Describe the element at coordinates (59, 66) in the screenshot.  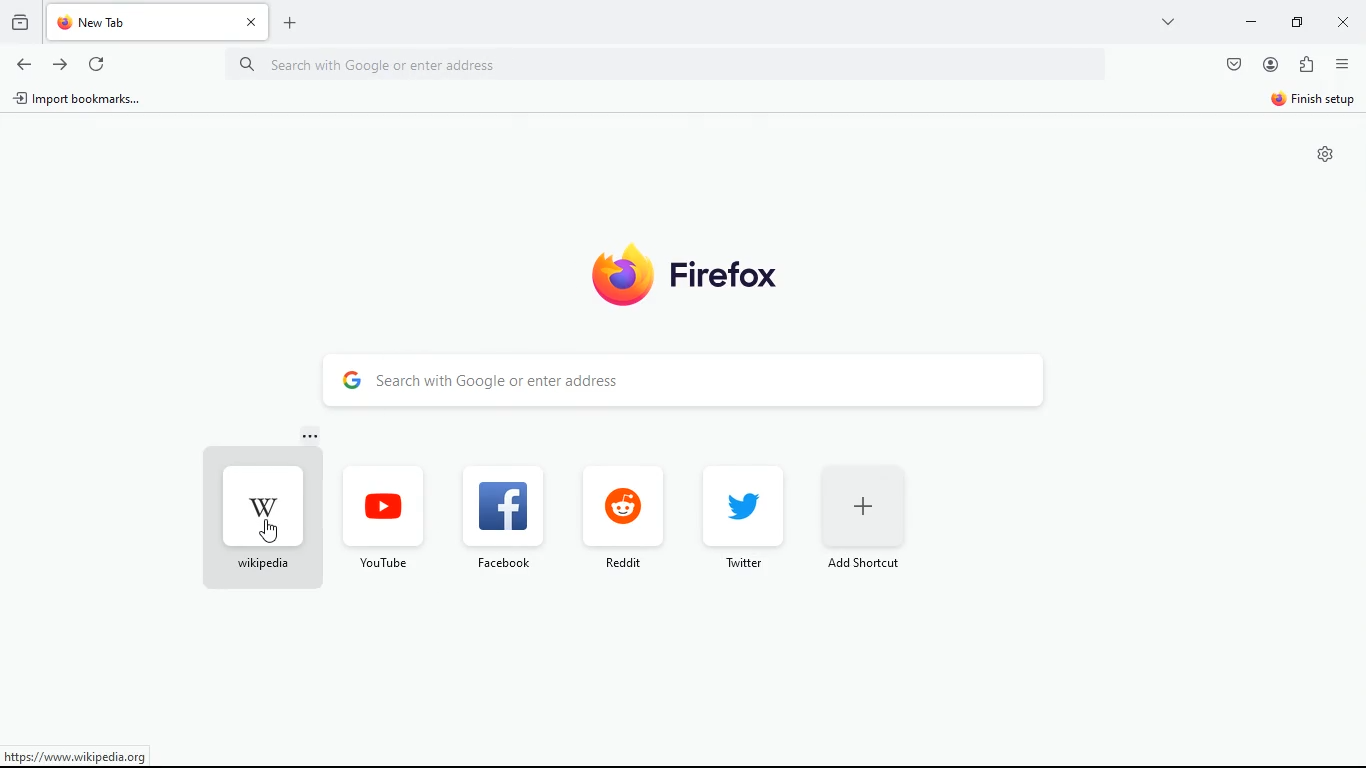
I see `forward` at that location.